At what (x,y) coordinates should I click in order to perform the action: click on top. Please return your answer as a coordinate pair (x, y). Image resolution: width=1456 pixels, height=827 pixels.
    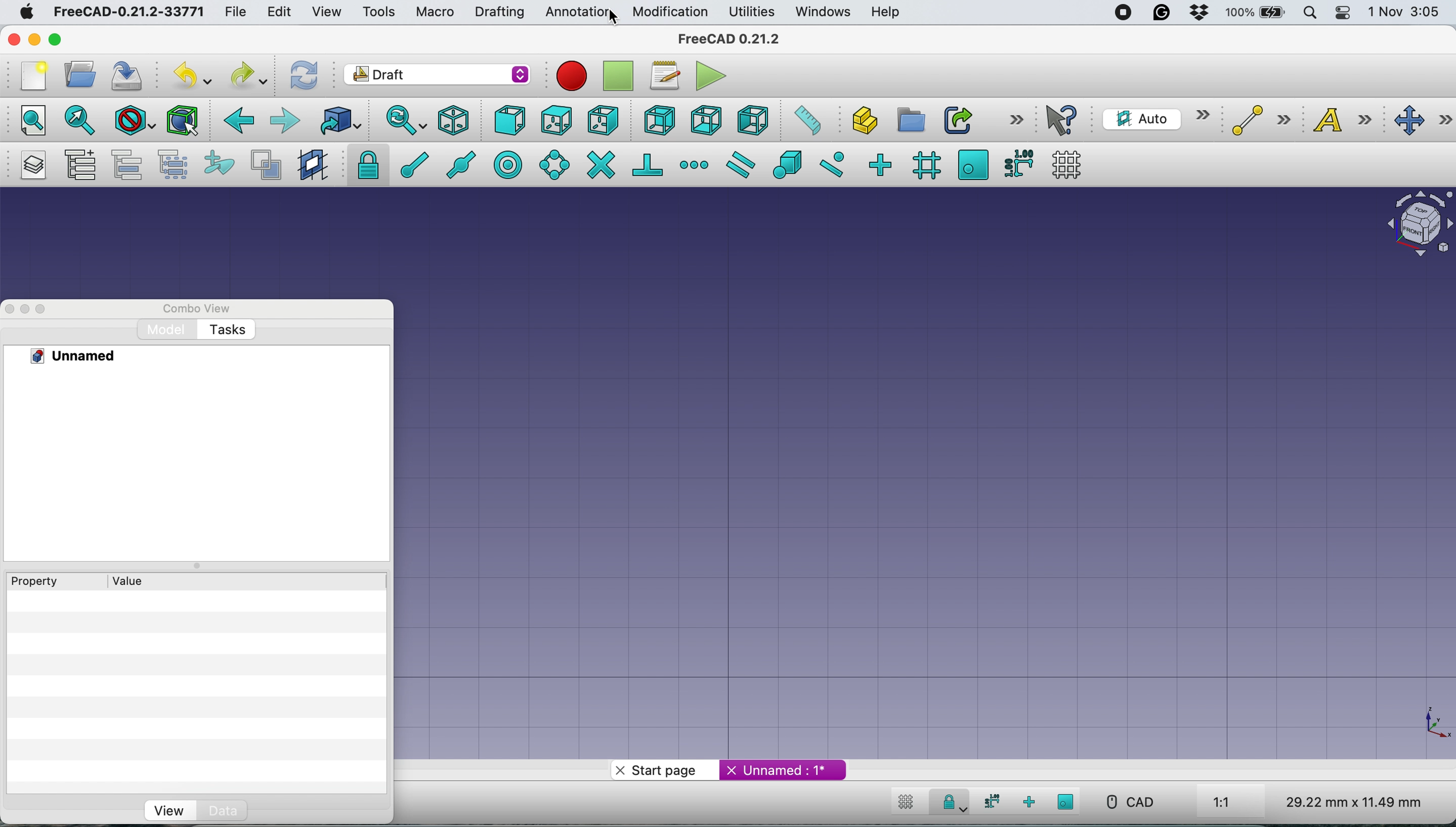
    Looking at the image, I should click on (556, 119).